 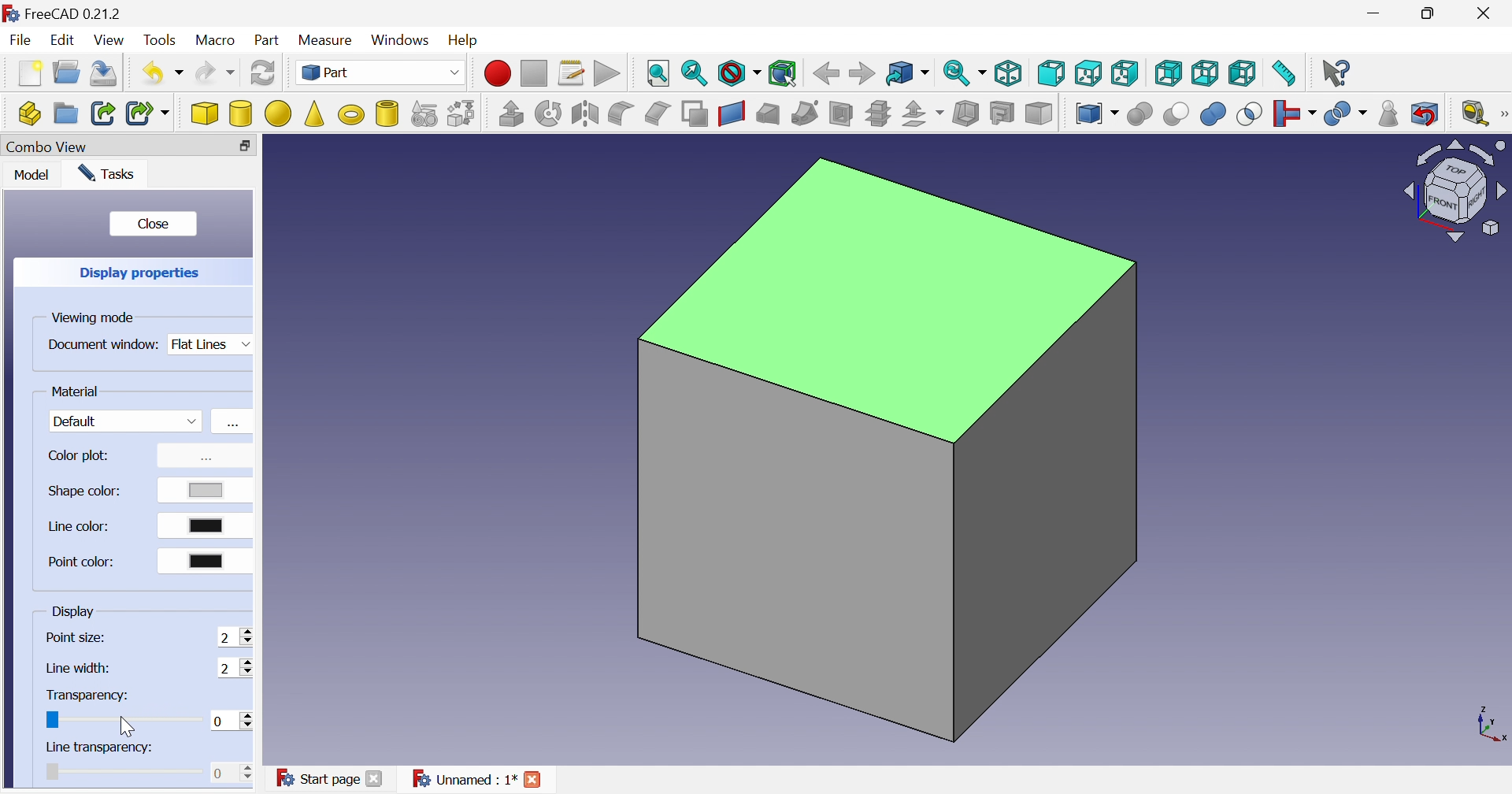 What do you see at coordinates (695, 114) in the screenshot?
I see `Make face from wires` at bounding box center [695, 114].